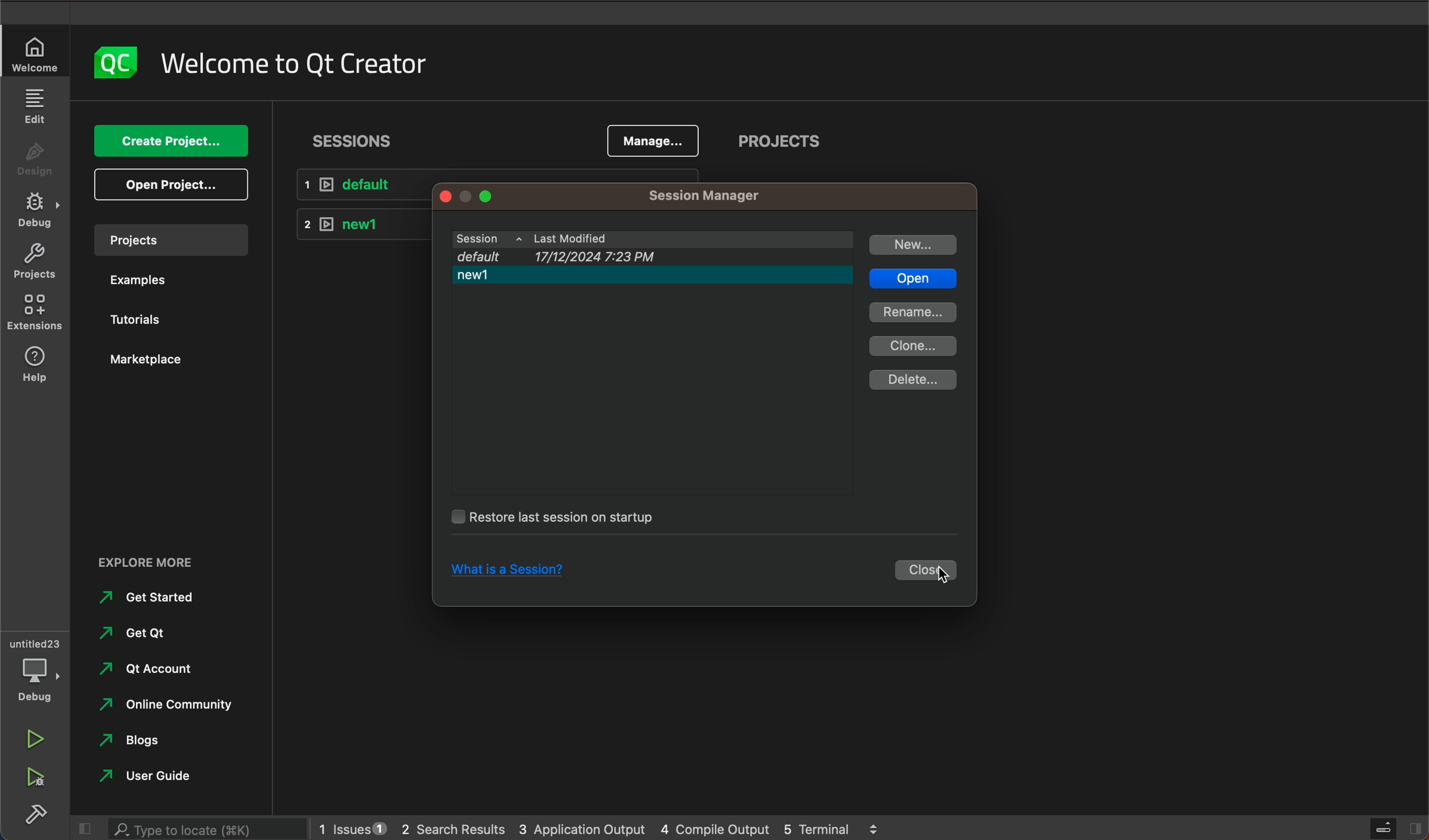 Image resolution: width=1429 pixels, height=840 pixels. What do you see at coordinates (350, 826) in the screenshot?
I see `issues` at bounding box center [350, 826].